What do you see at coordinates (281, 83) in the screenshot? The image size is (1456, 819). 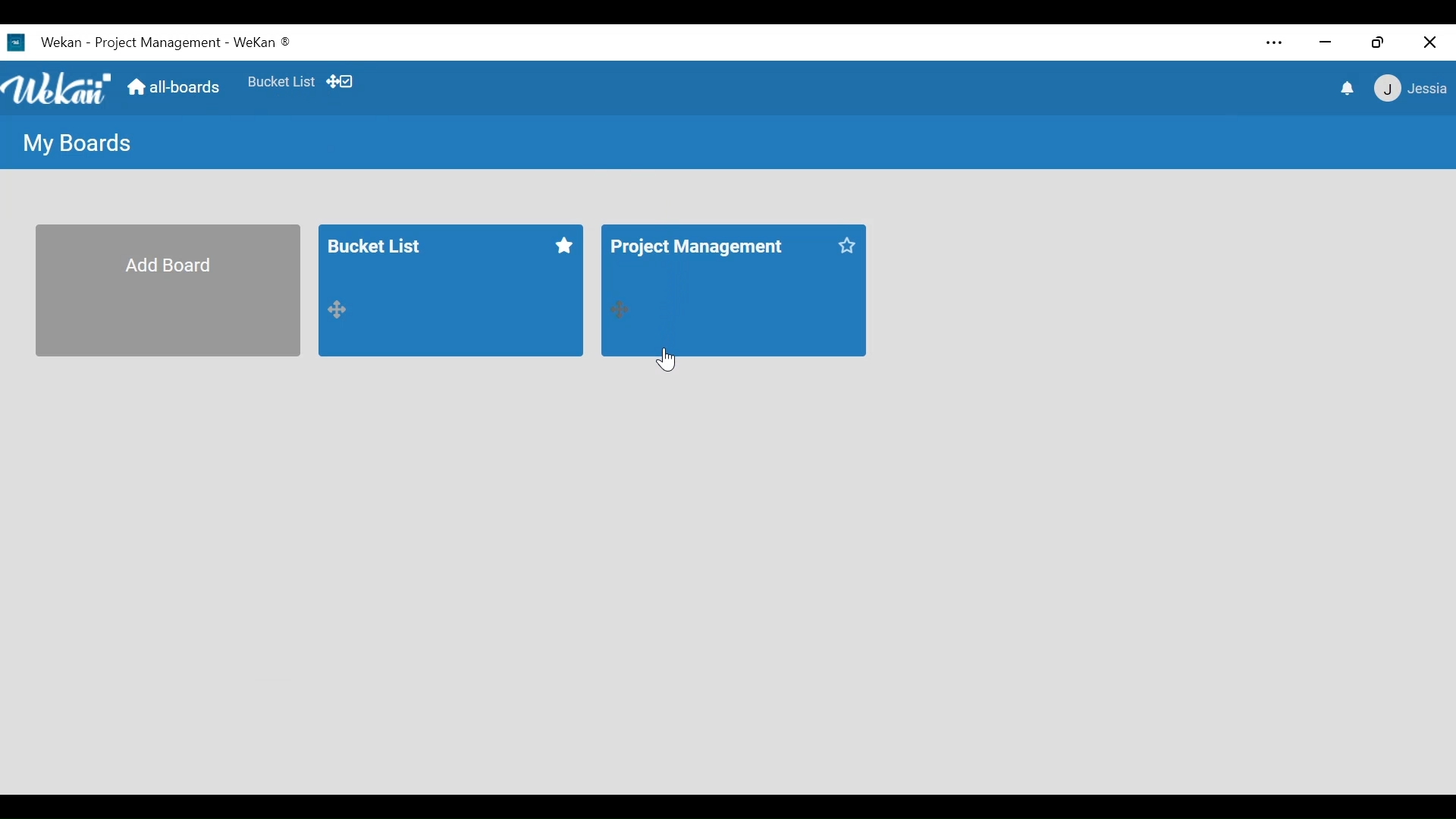 I see `Favorites` at bounding box center [281, 83].